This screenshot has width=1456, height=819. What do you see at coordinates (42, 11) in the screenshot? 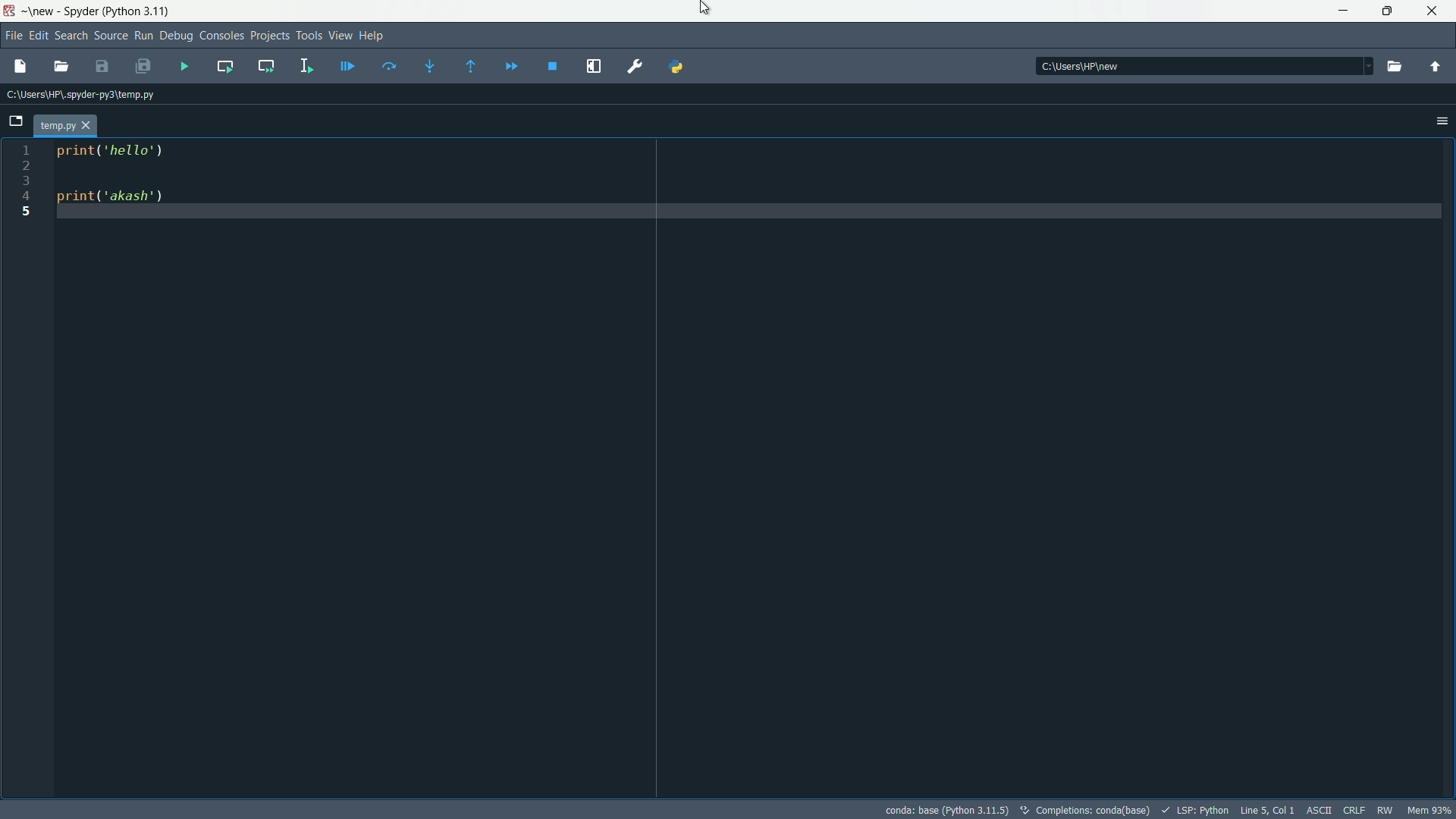
I see `new` at bounding box center [42, 11].